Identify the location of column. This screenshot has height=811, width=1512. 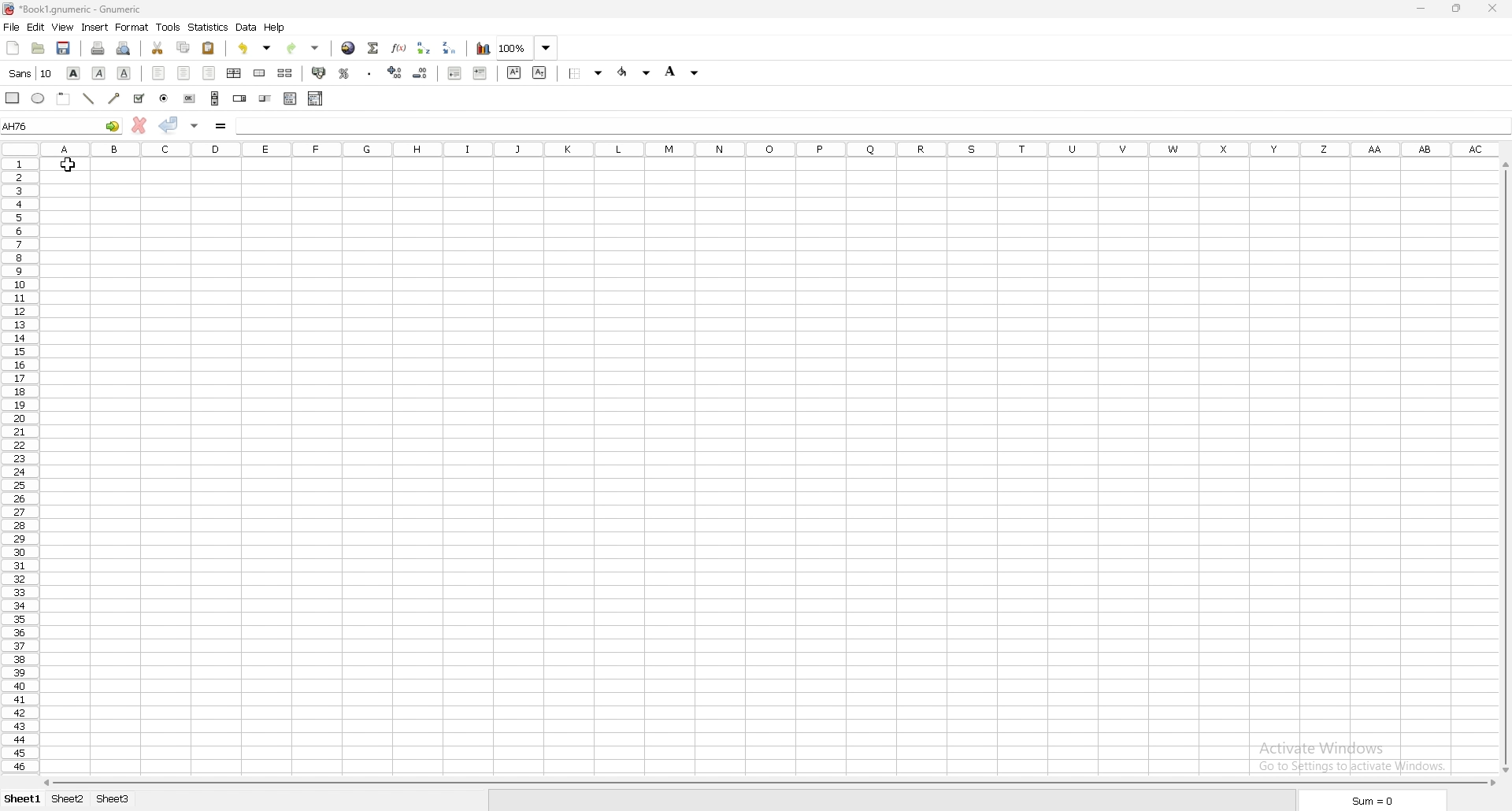
(772, 148).